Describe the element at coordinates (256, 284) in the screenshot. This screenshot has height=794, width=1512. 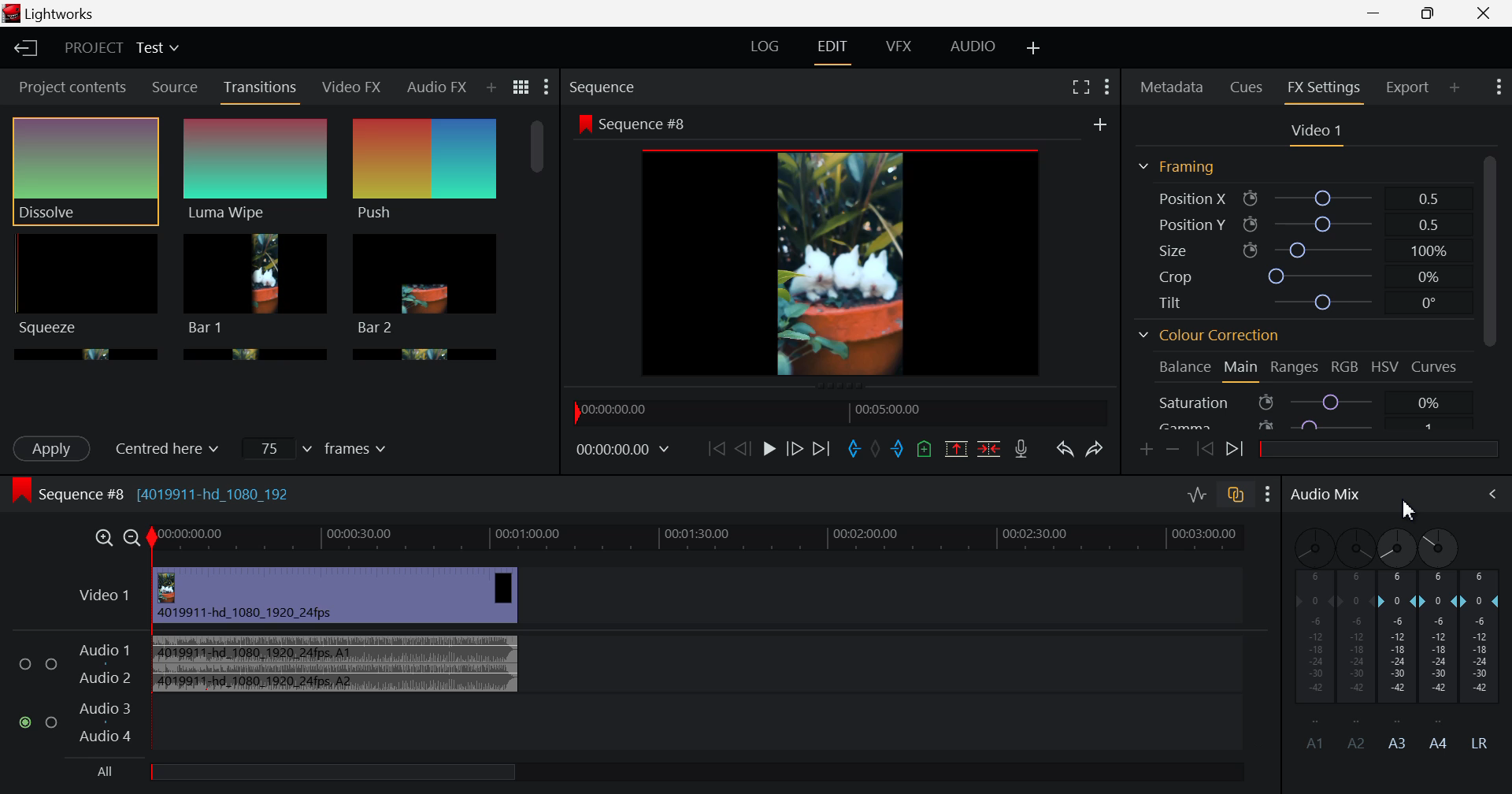
I see `Bar 1` at that location.